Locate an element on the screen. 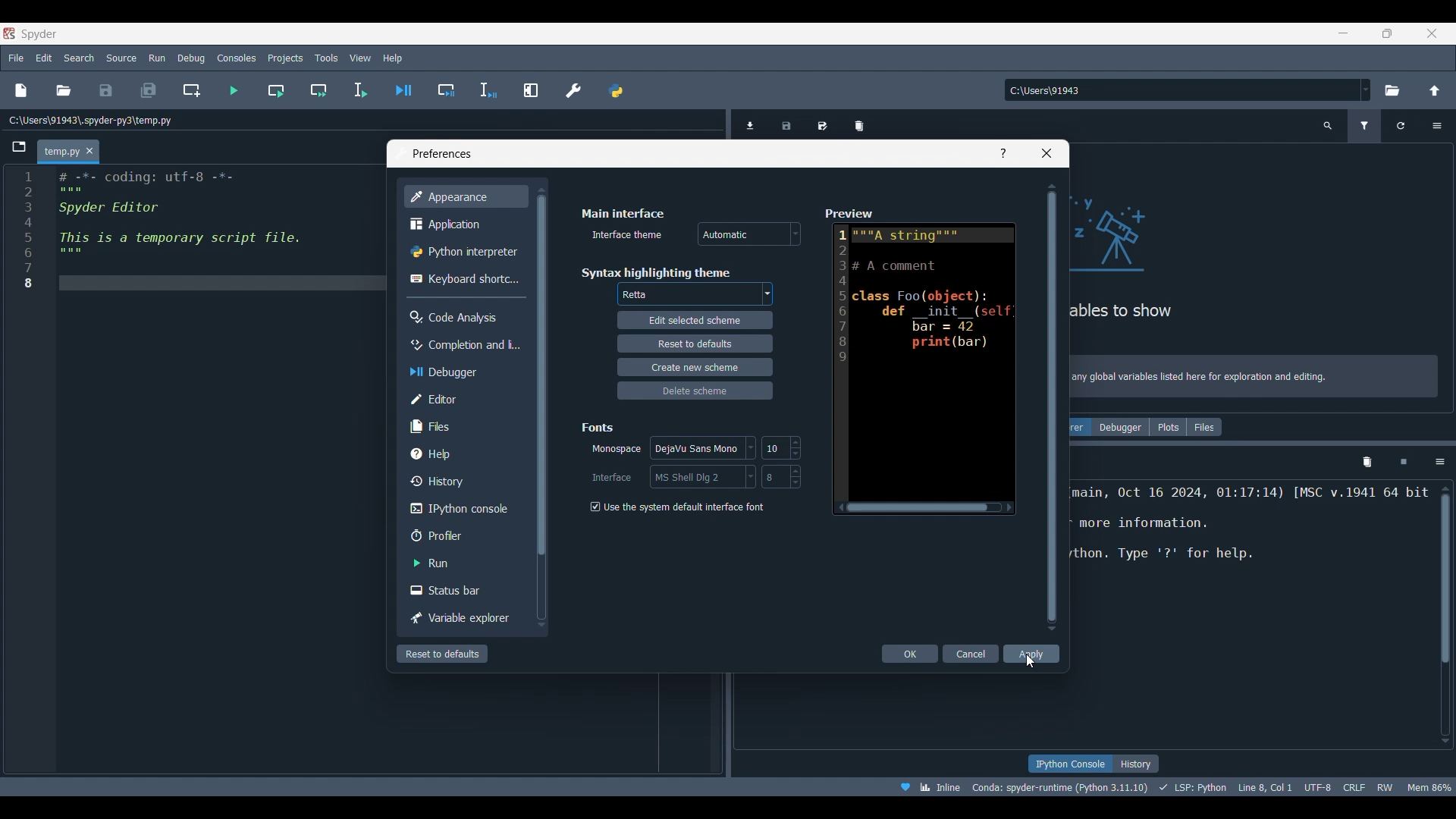  Python interpreter is located at coordinates (465, 252).